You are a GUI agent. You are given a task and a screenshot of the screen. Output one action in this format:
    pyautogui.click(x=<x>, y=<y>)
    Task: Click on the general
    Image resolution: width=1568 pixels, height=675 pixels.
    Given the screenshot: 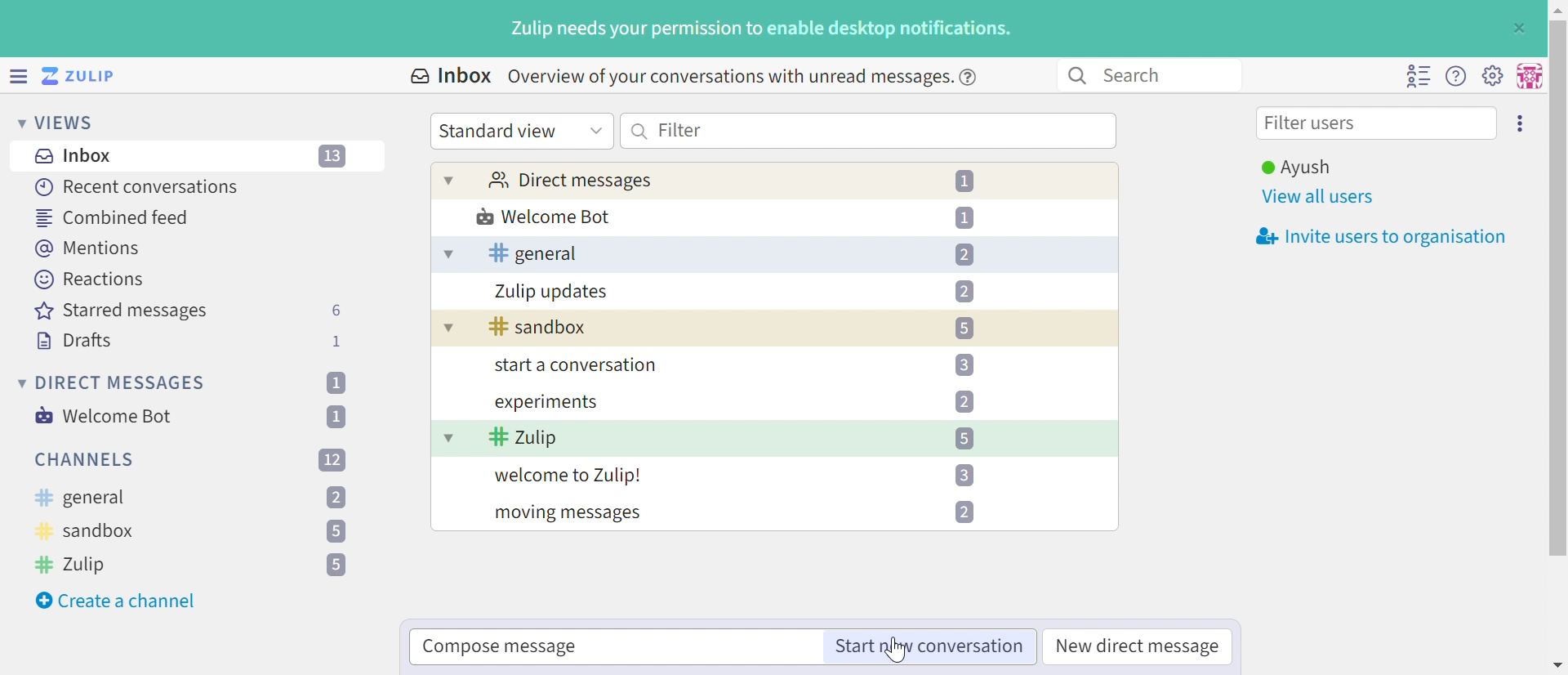 What is the action you would take?
    pyautogui.click(x=79, y=498)
    